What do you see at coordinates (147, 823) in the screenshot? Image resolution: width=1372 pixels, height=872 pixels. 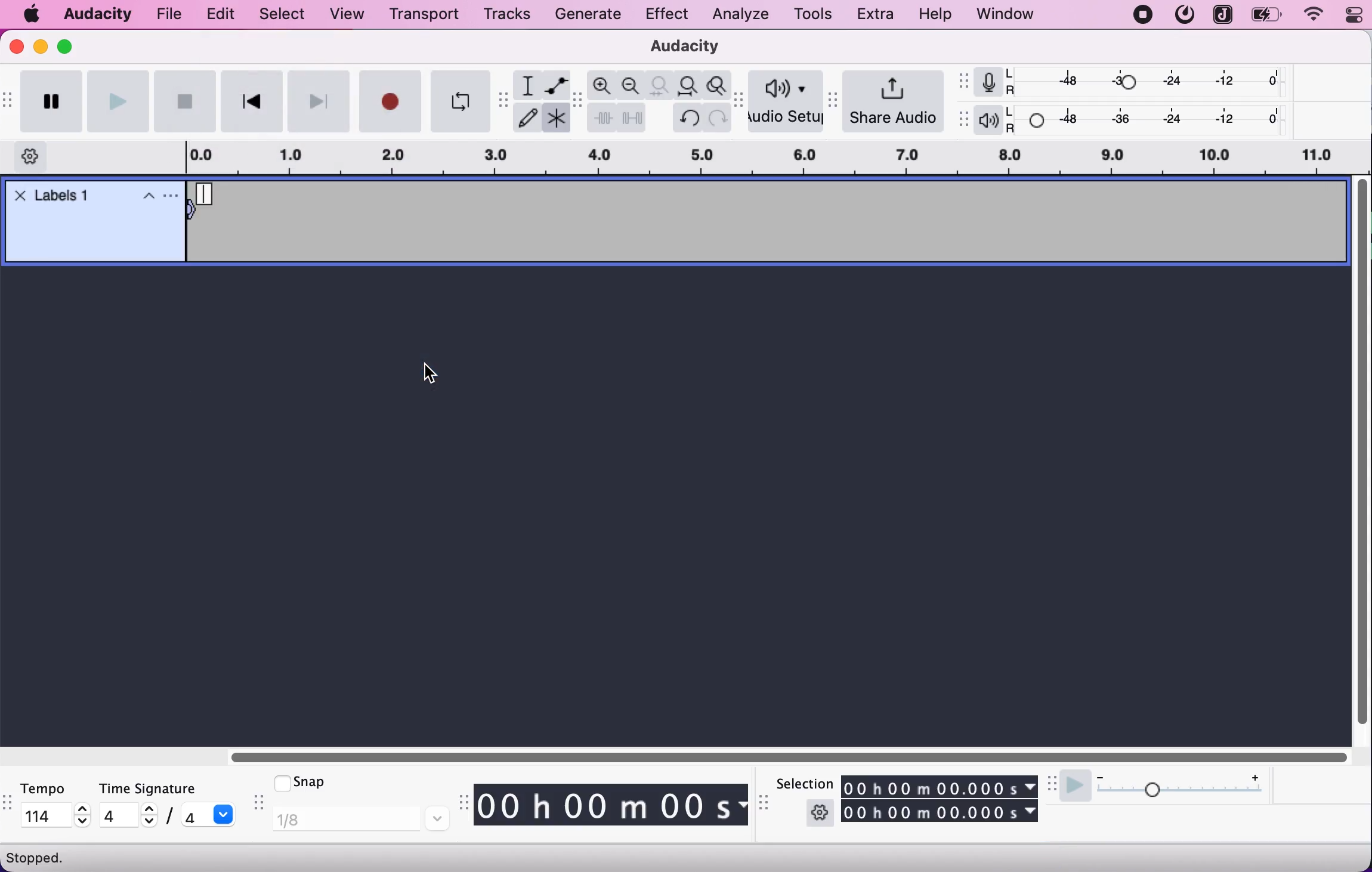 I see `decrease` at bounding box center [147, 823].